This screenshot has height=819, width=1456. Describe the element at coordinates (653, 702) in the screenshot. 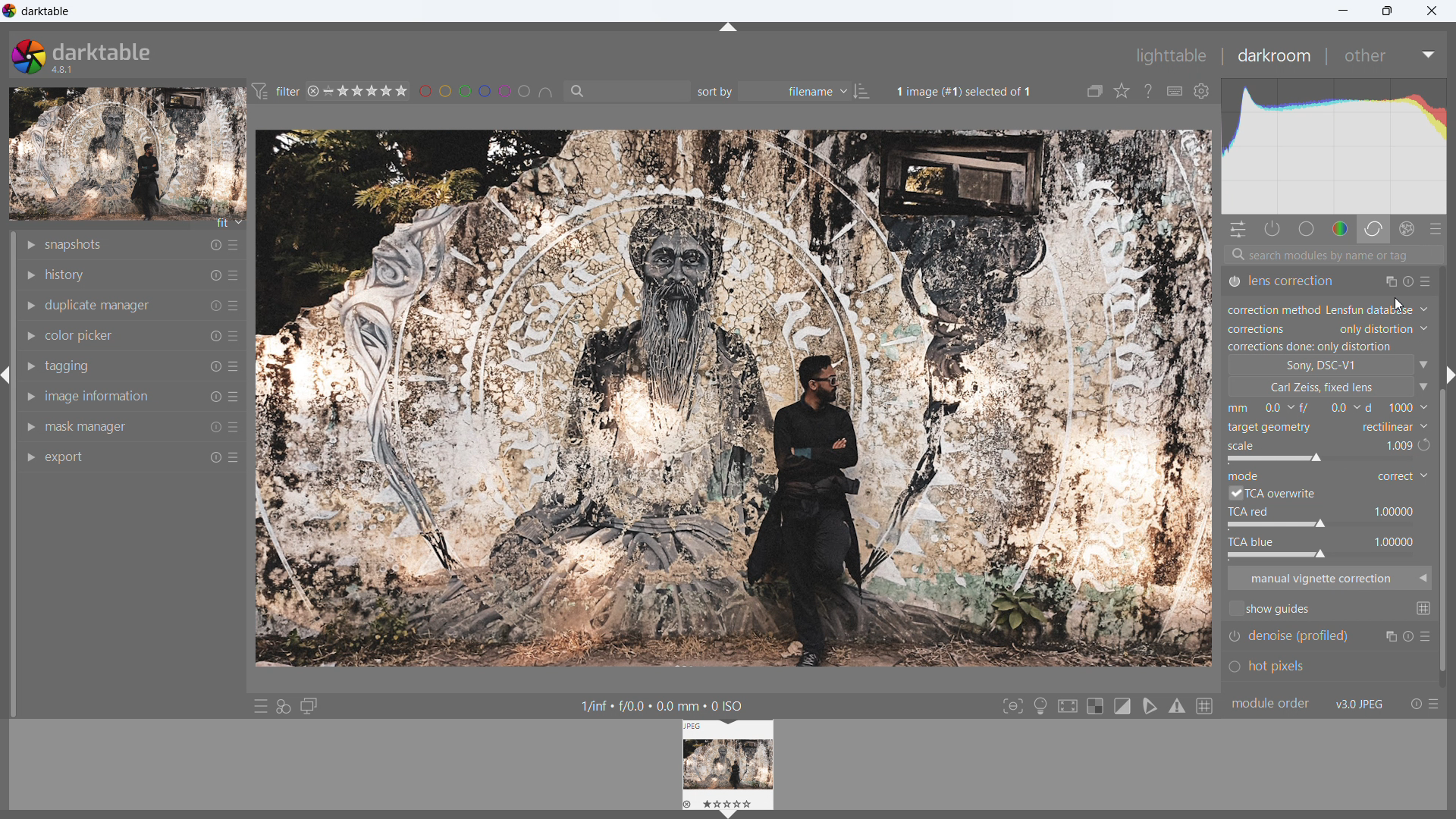

I see `1/inf « f/0.0 + 0.0 mm + 0 ISO` at that location.